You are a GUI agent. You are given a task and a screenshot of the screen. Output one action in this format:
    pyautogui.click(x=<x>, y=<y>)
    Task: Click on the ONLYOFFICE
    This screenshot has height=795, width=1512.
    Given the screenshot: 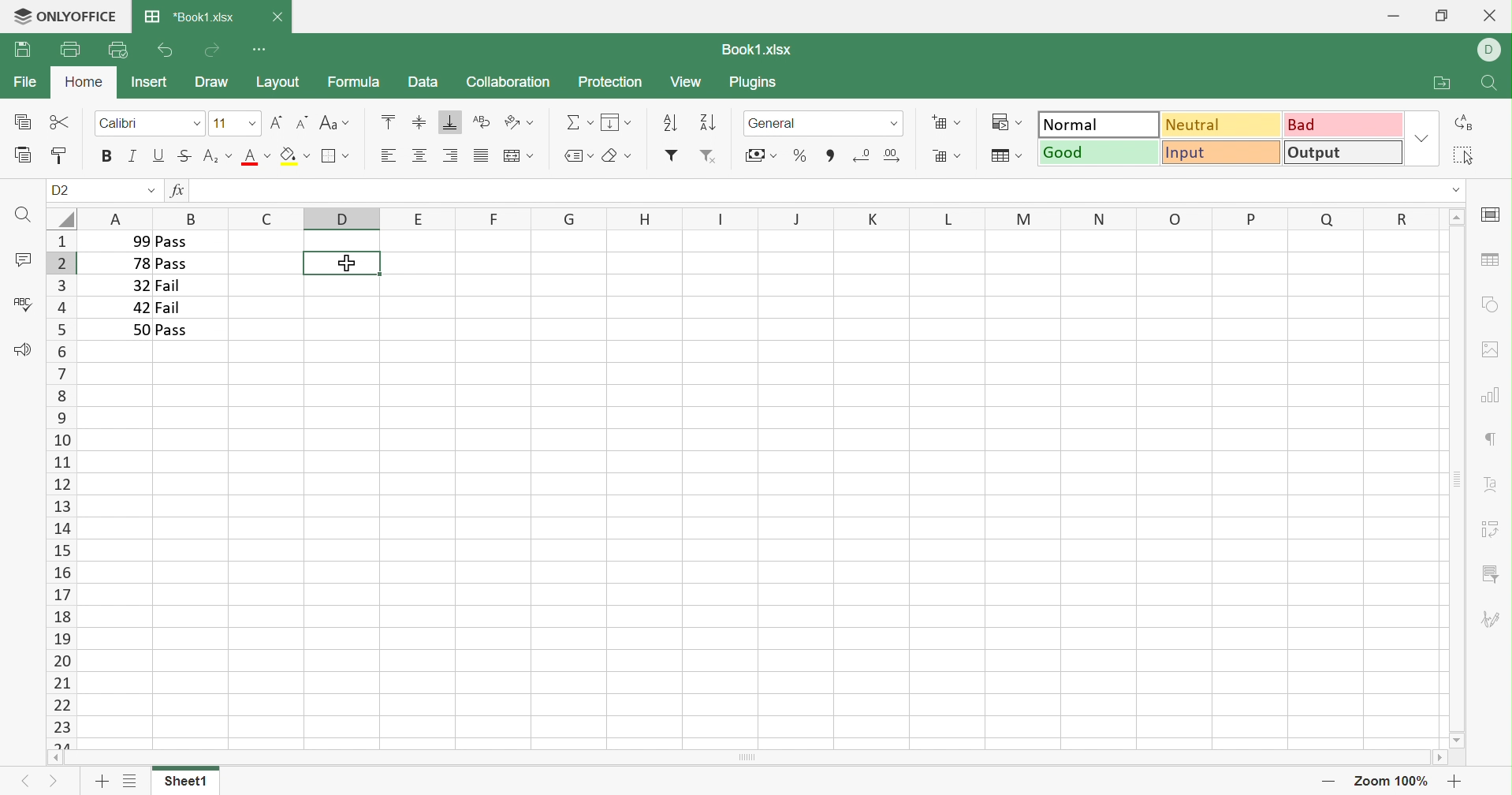 What is the action you would take?
    pyautogui.click(x=81, y=15)
    